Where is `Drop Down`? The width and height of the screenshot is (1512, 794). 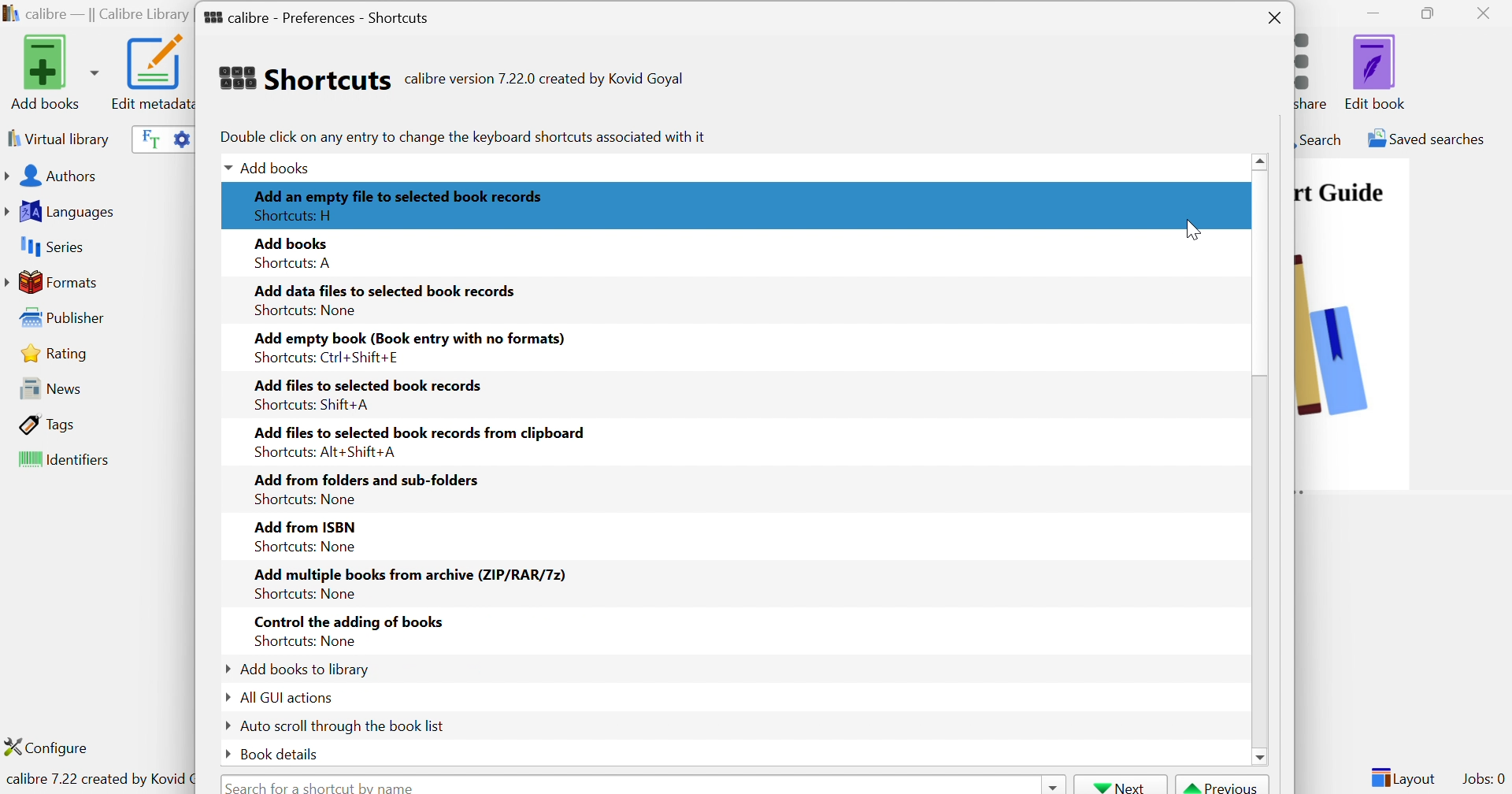
Drop Down is located at coordinates (223, 669).